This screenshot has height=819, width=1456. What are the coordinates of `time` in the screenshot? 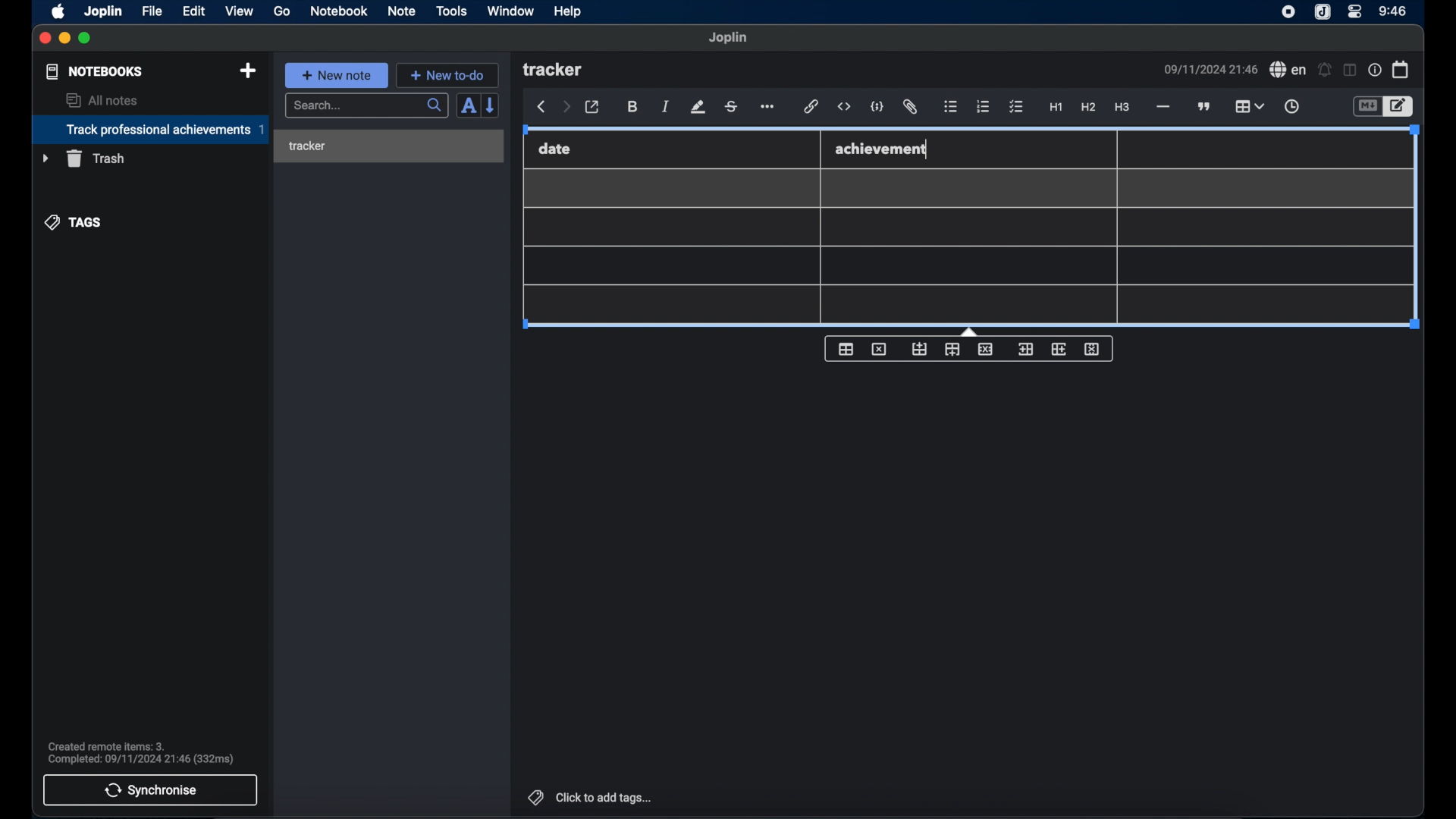 It's located at (1393, 11).